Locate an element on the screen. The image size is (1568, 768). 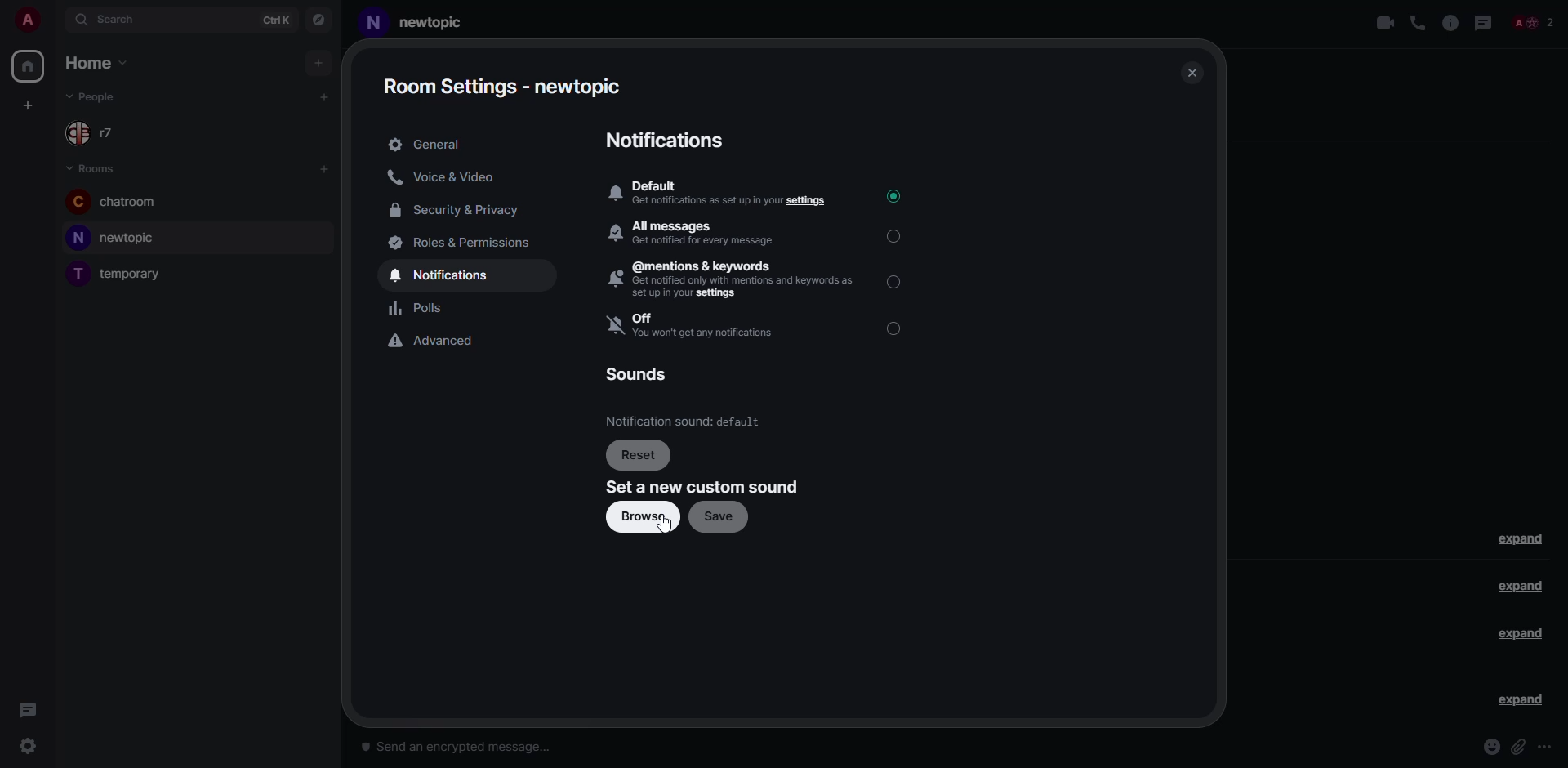
expand is located at coordinates (1519, 700).